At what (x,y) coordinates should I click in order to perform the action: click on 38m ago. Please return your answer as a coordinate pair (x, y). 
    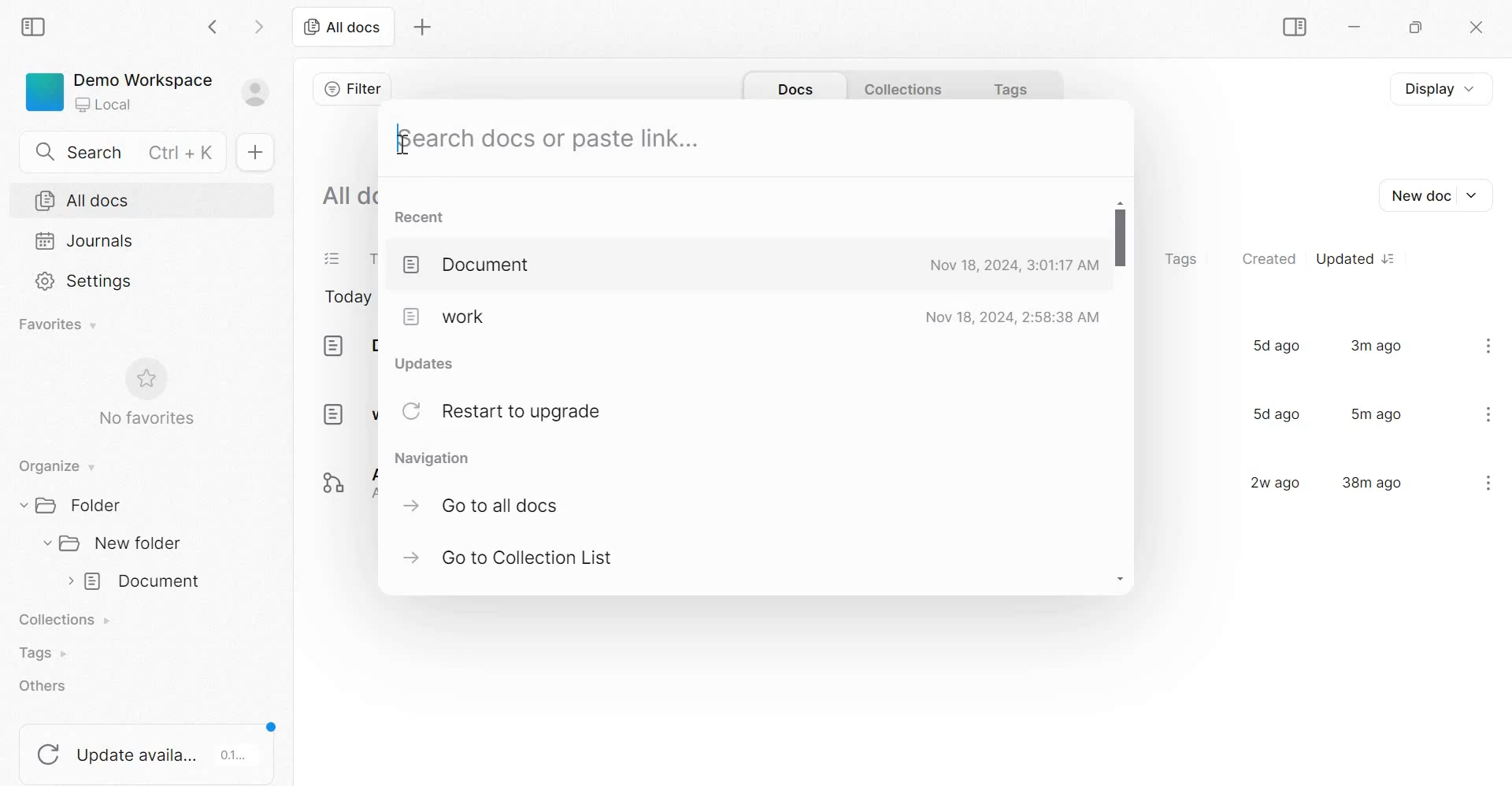
    Looking at the image, I should click on (1372, 481).